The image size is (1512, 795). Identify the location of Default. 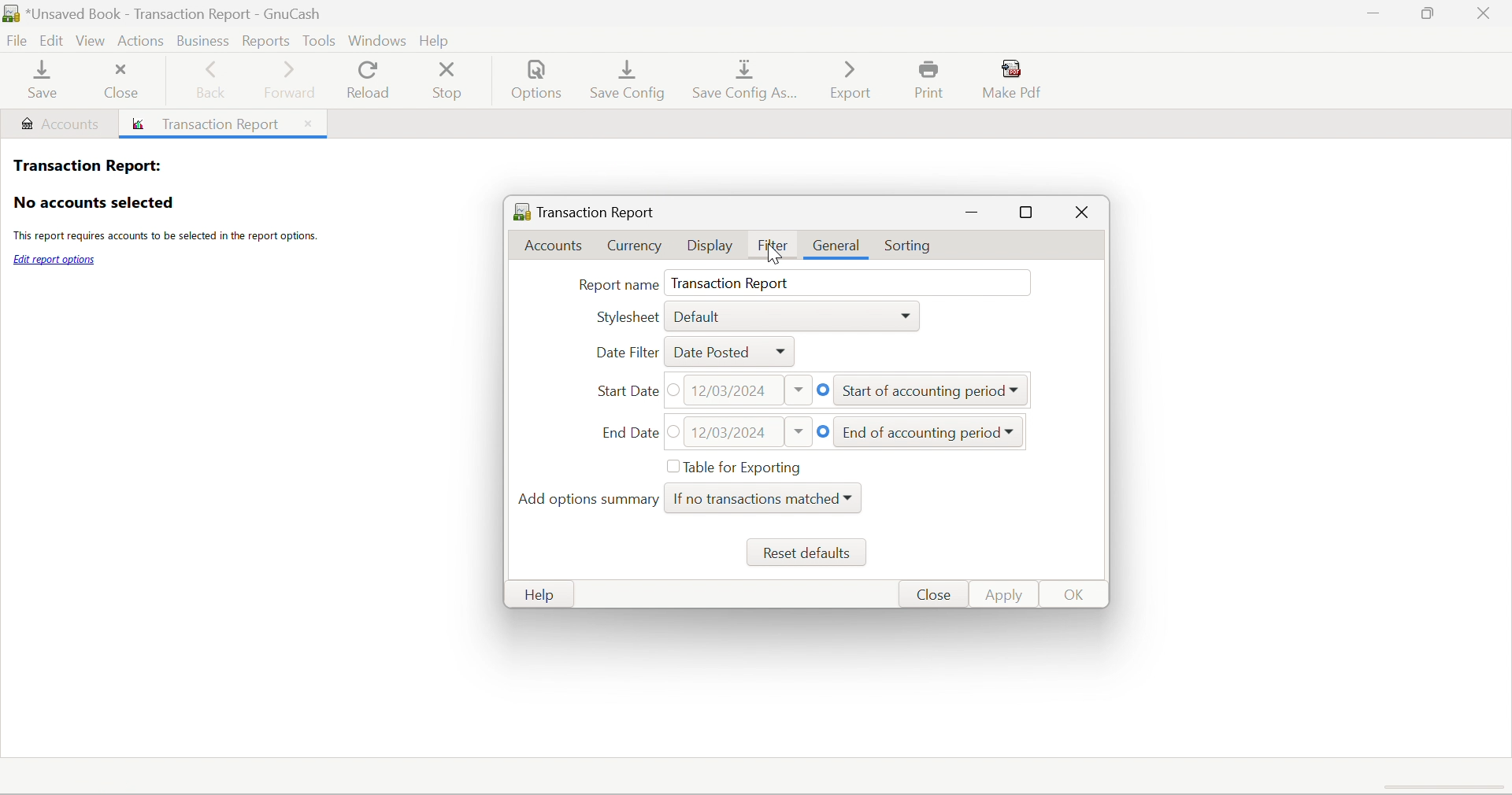
(699, 316).